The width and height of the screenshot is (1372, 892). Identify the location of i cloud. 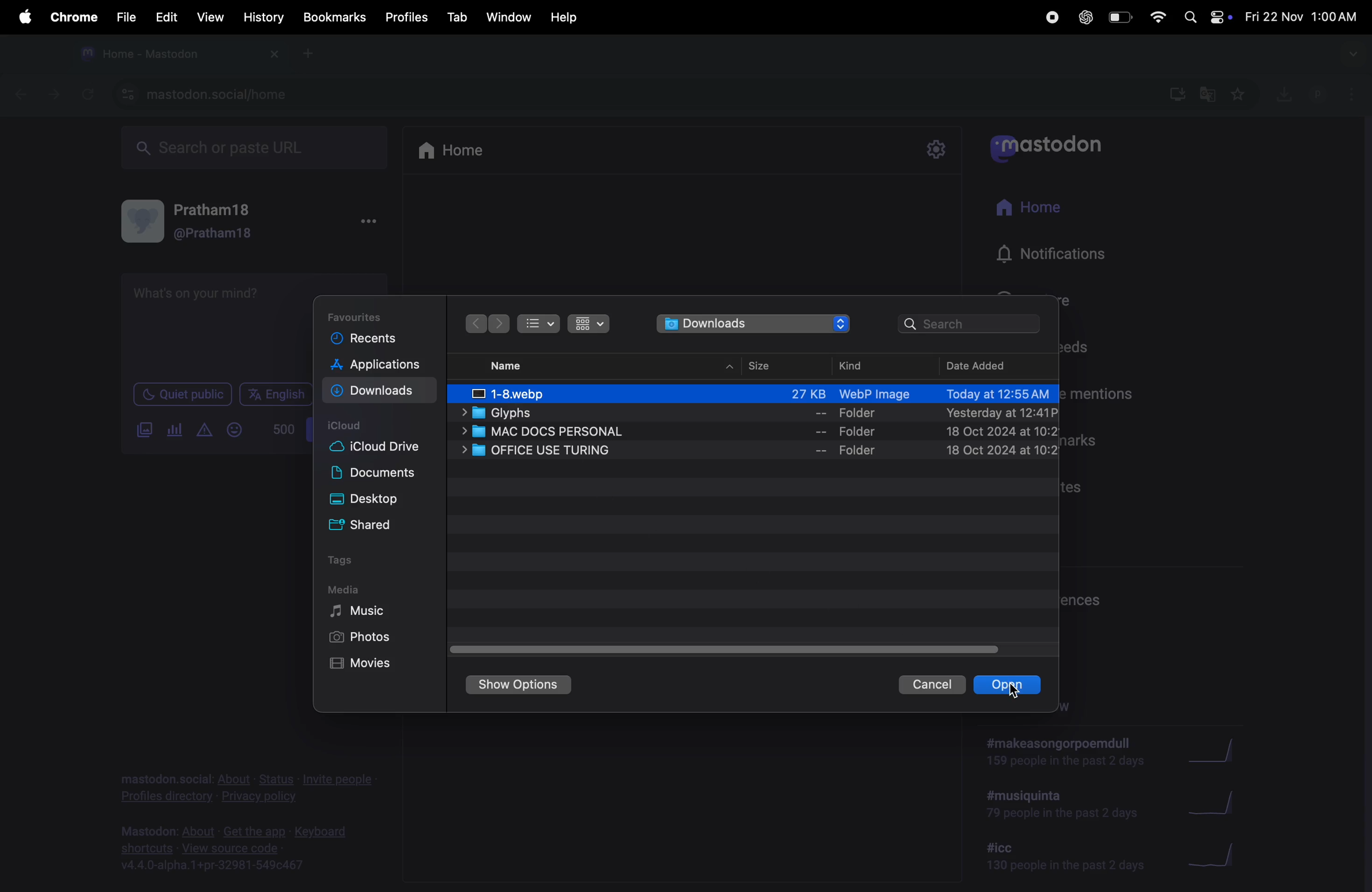
(350, 423).